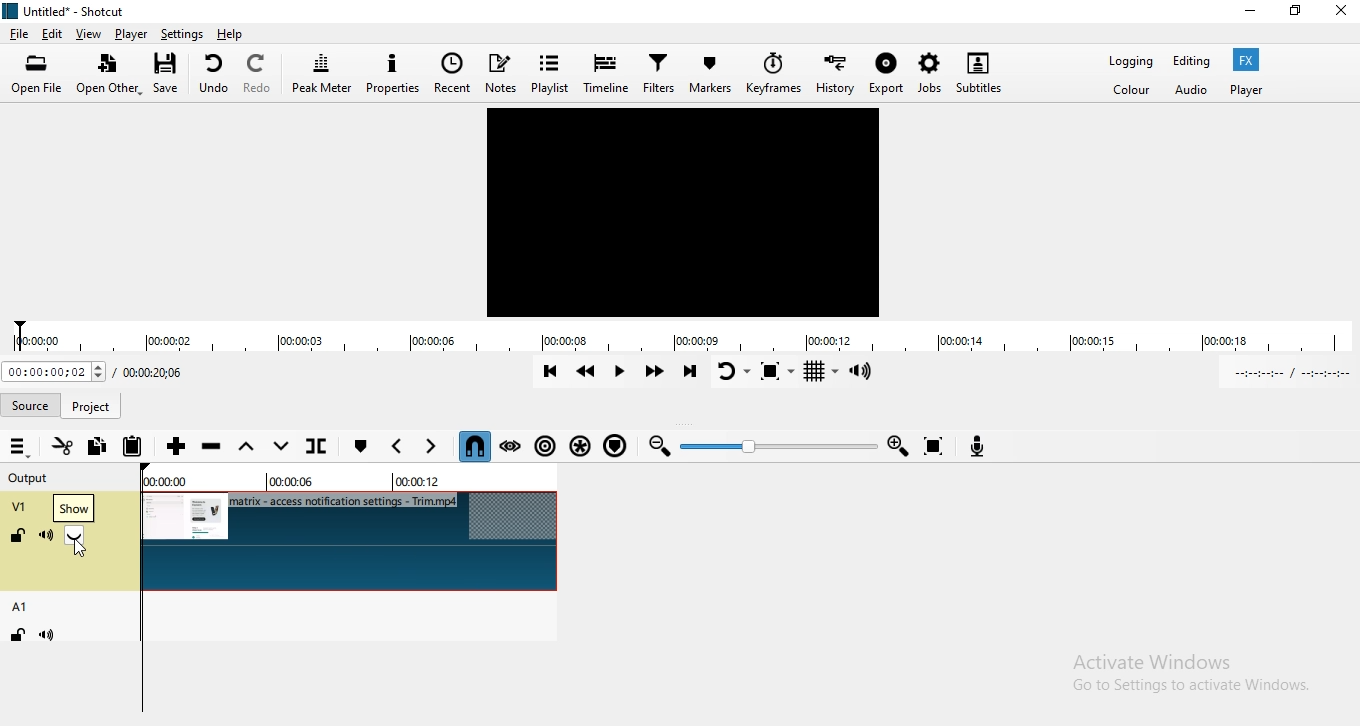 Image resolution: width=1360 pixels, height=726 pixels. I want to click on Cut, so click(63, 447).